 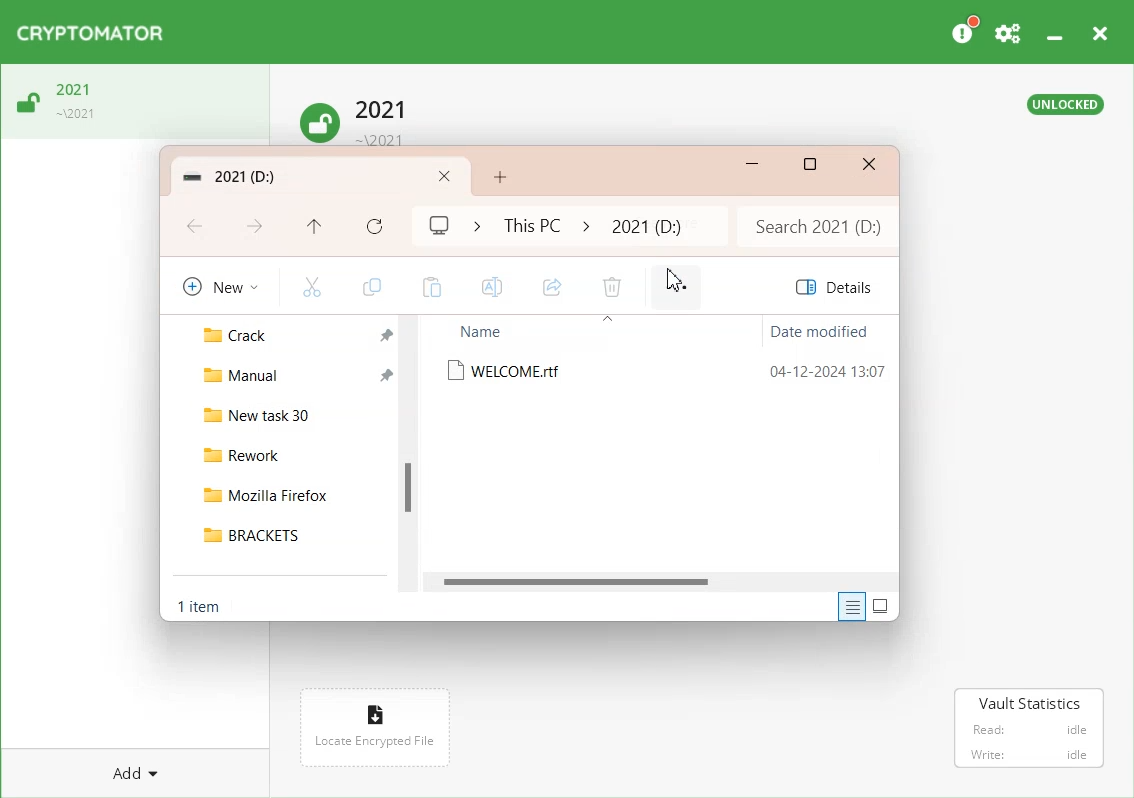 What do you see at coordinates (135, 772) in the screenshot?
I see `Add` at bounding box center [135, 772].